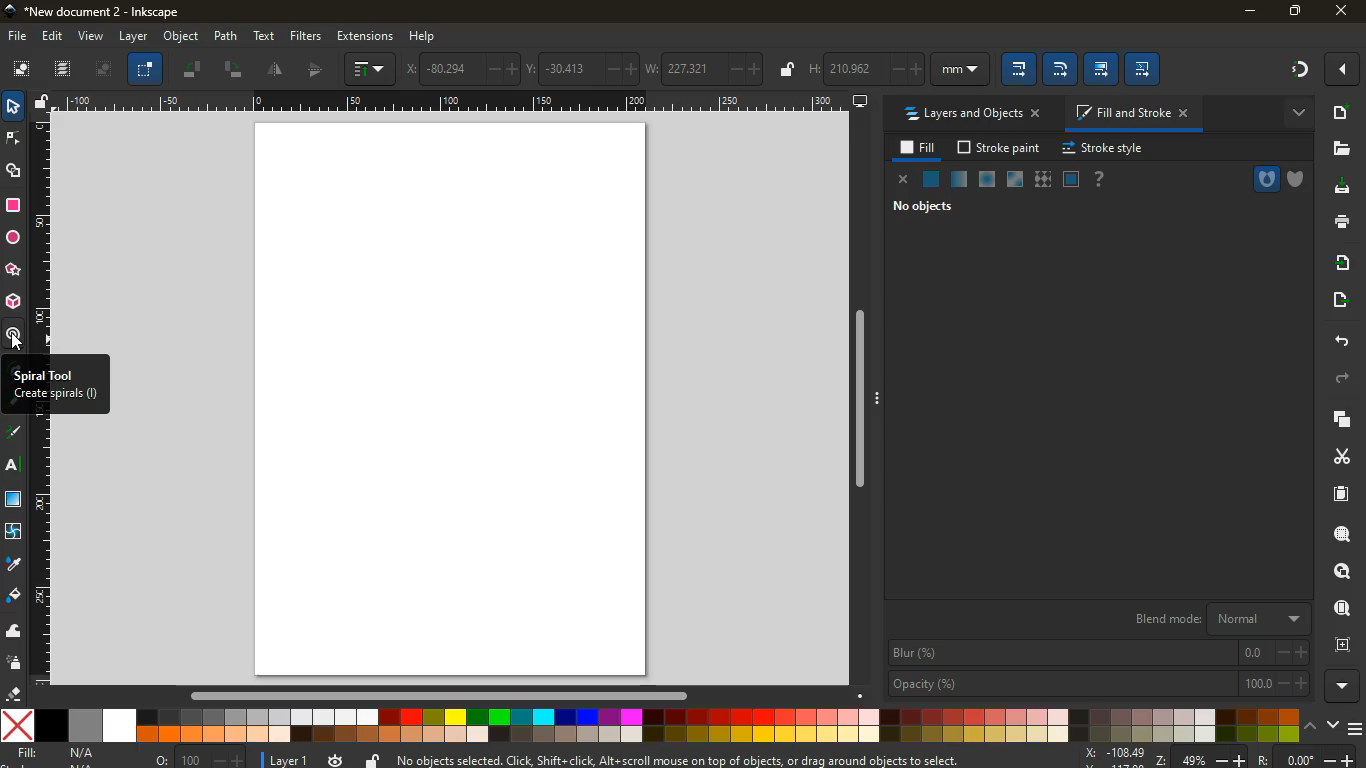 The image size is (1366, 768). Describe the element at coordinates (1342, 495) in the screenshot. I see `paper` at that location.